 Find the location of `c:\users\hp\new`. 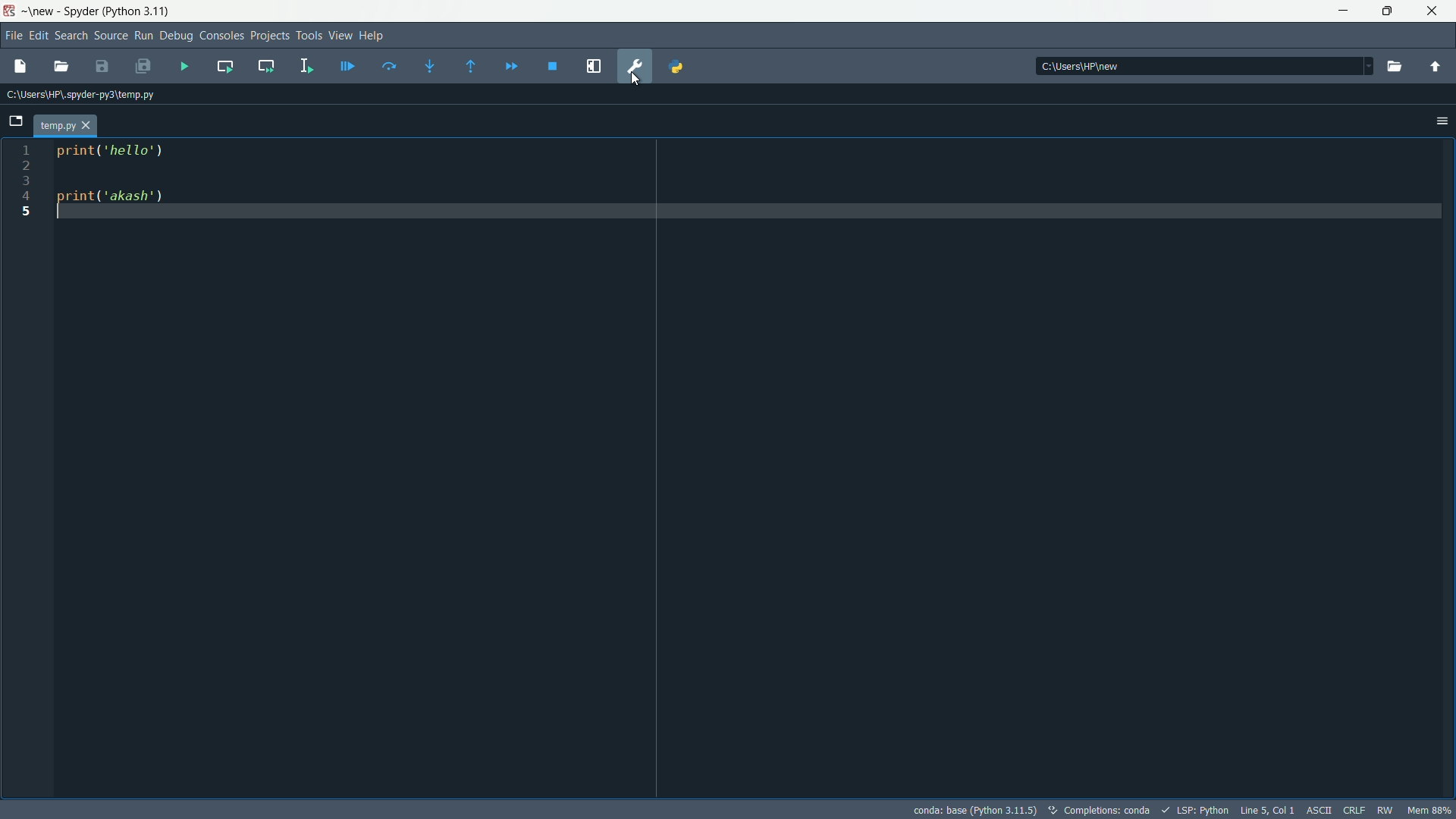

c:\users\hp\new is located at coordinates (1203, 66).